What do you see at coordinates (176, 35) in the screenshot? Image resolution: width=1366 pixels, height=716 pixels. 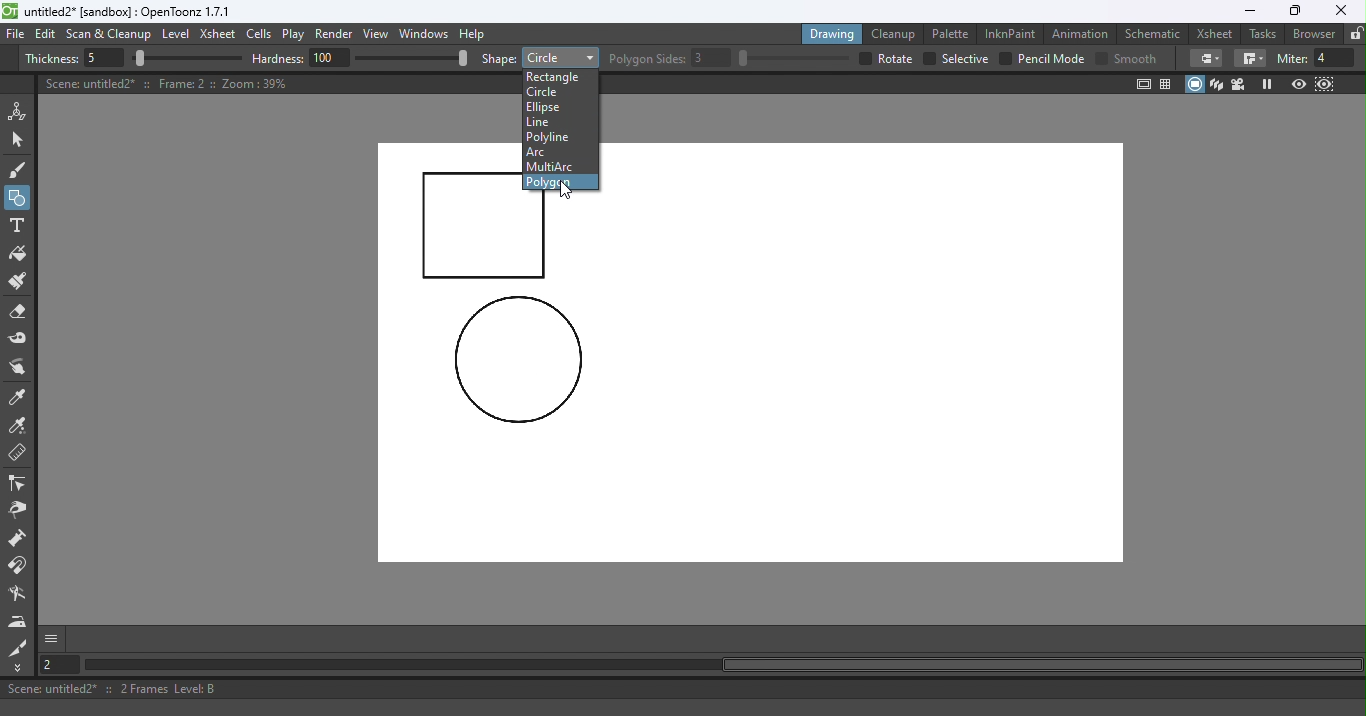 I see `Level` at bounding box center [176, 35].